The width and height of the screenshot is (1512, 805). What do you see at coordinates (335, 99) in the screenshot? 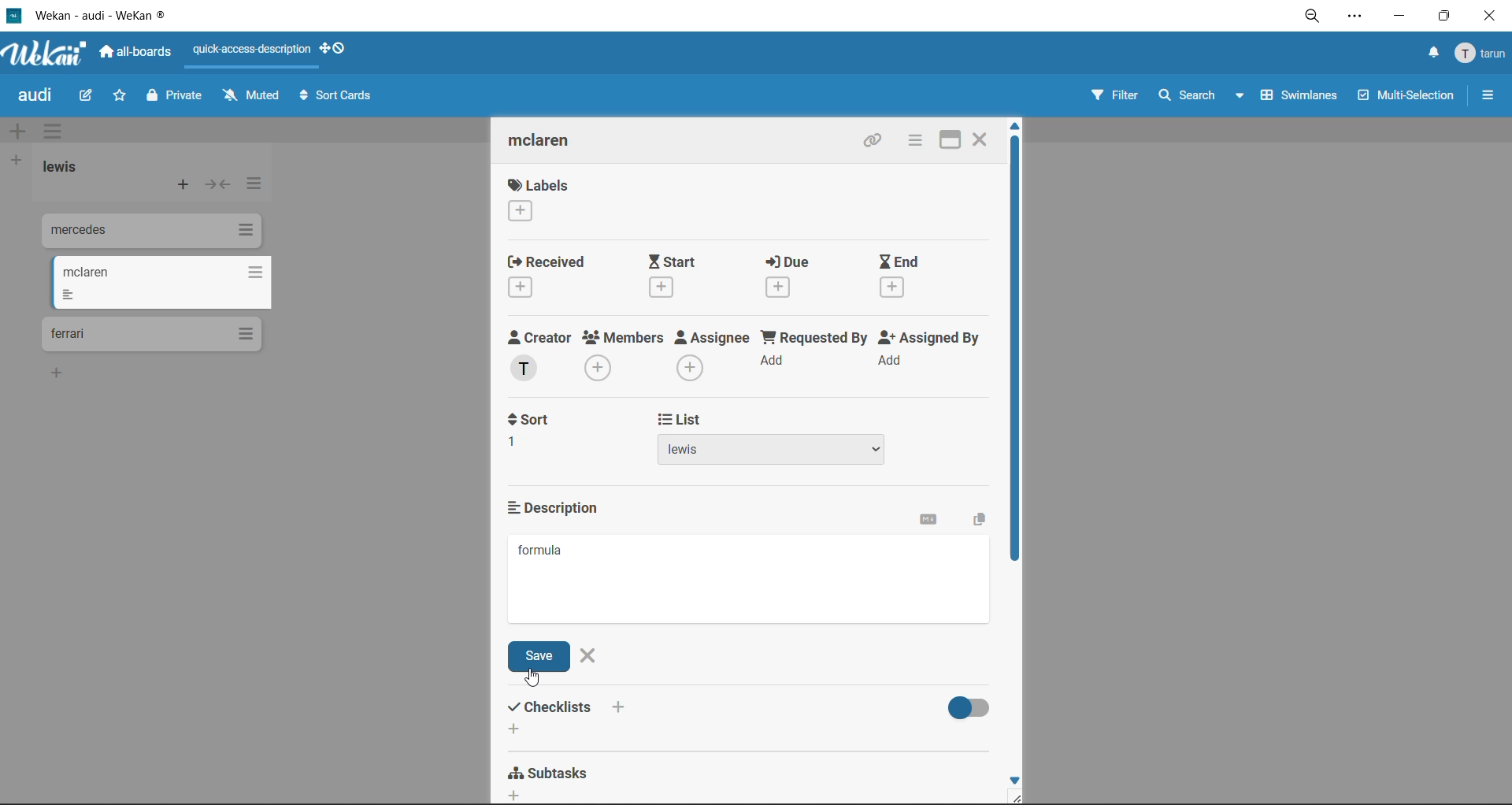
I see `sort cards` at bounding box center [335, 99].